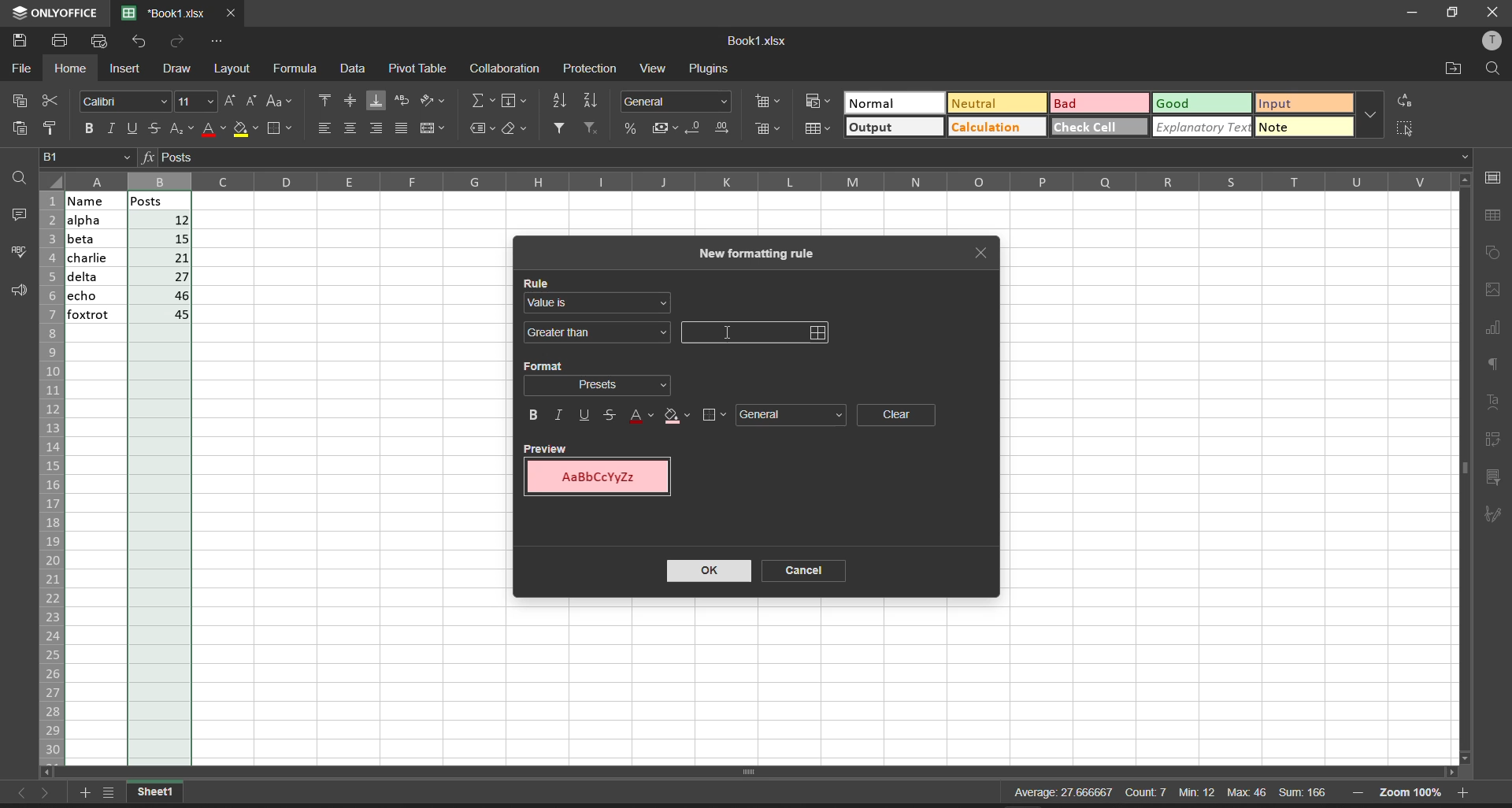 The height and width of the screenshot is (808, 1512). Describe the element at coordinates (1498, 363) in the screenshot. I see `paragraph settings` at that location.